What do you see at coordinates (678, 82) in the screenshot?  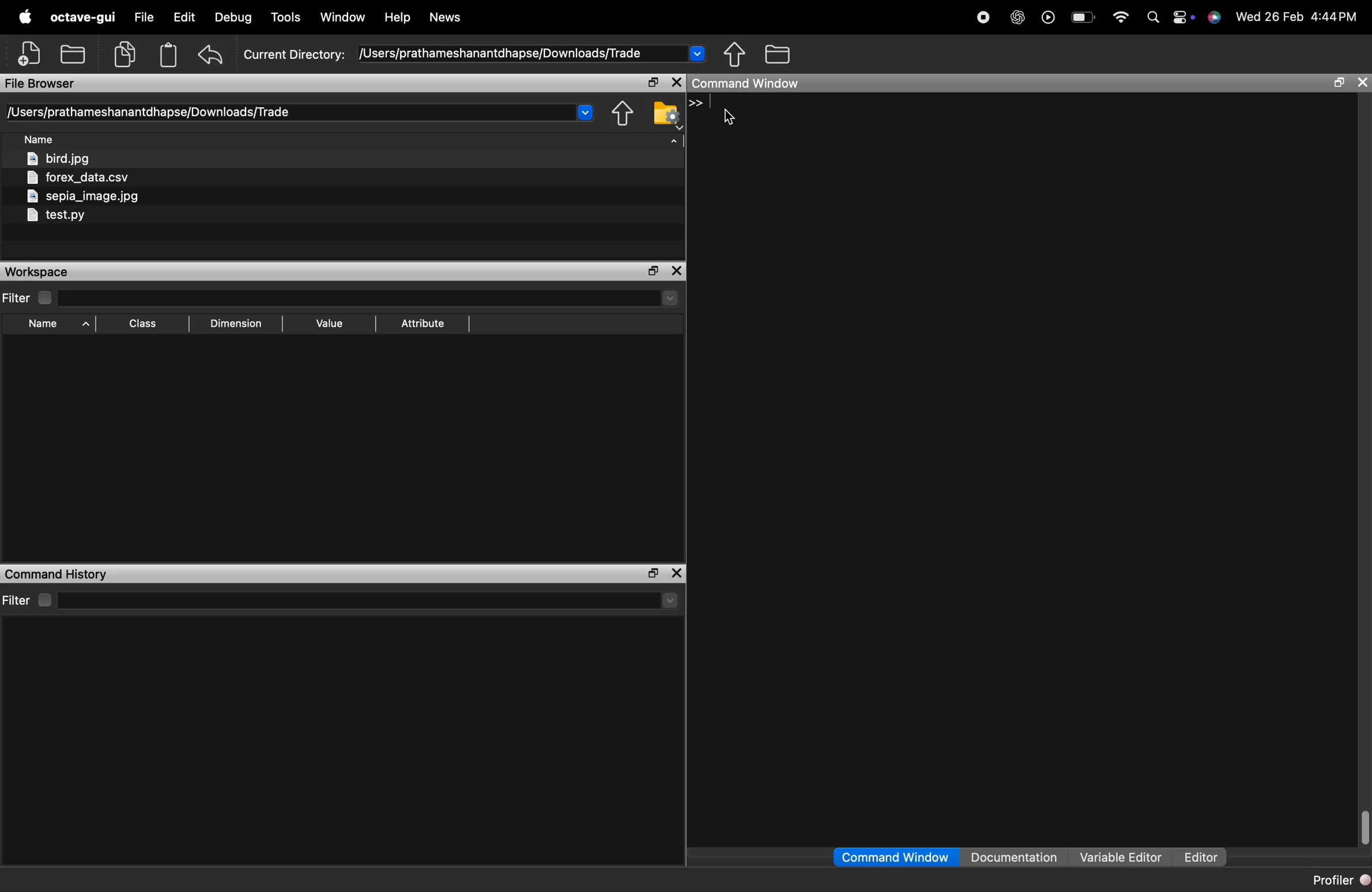 I see `close` at bounding box center [678, 82].